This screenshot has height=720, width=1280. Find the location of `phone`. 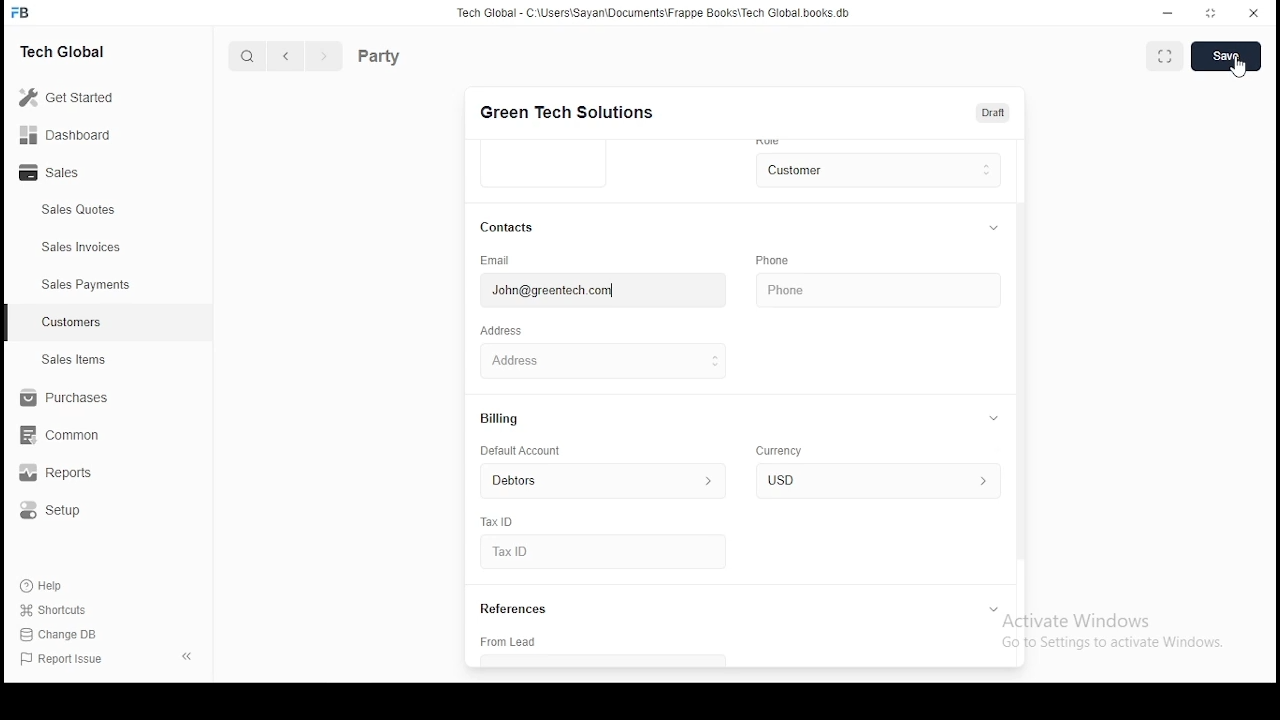

phone is located at coordinates (777, 258).